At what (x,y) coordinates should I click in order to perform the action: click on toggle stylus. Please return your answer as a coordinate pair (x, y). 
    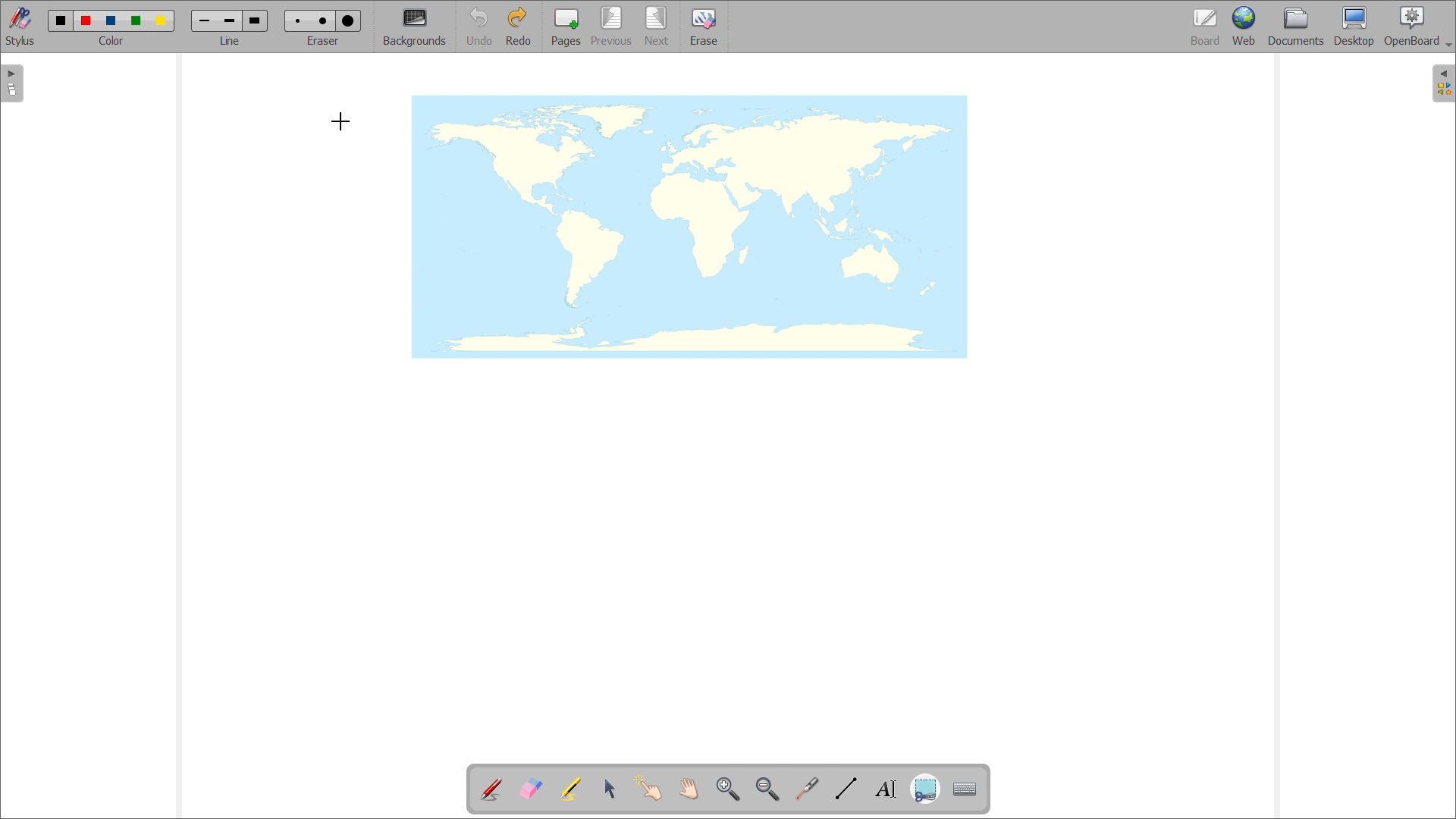
    Looking at the image, I should click on (22, 27).